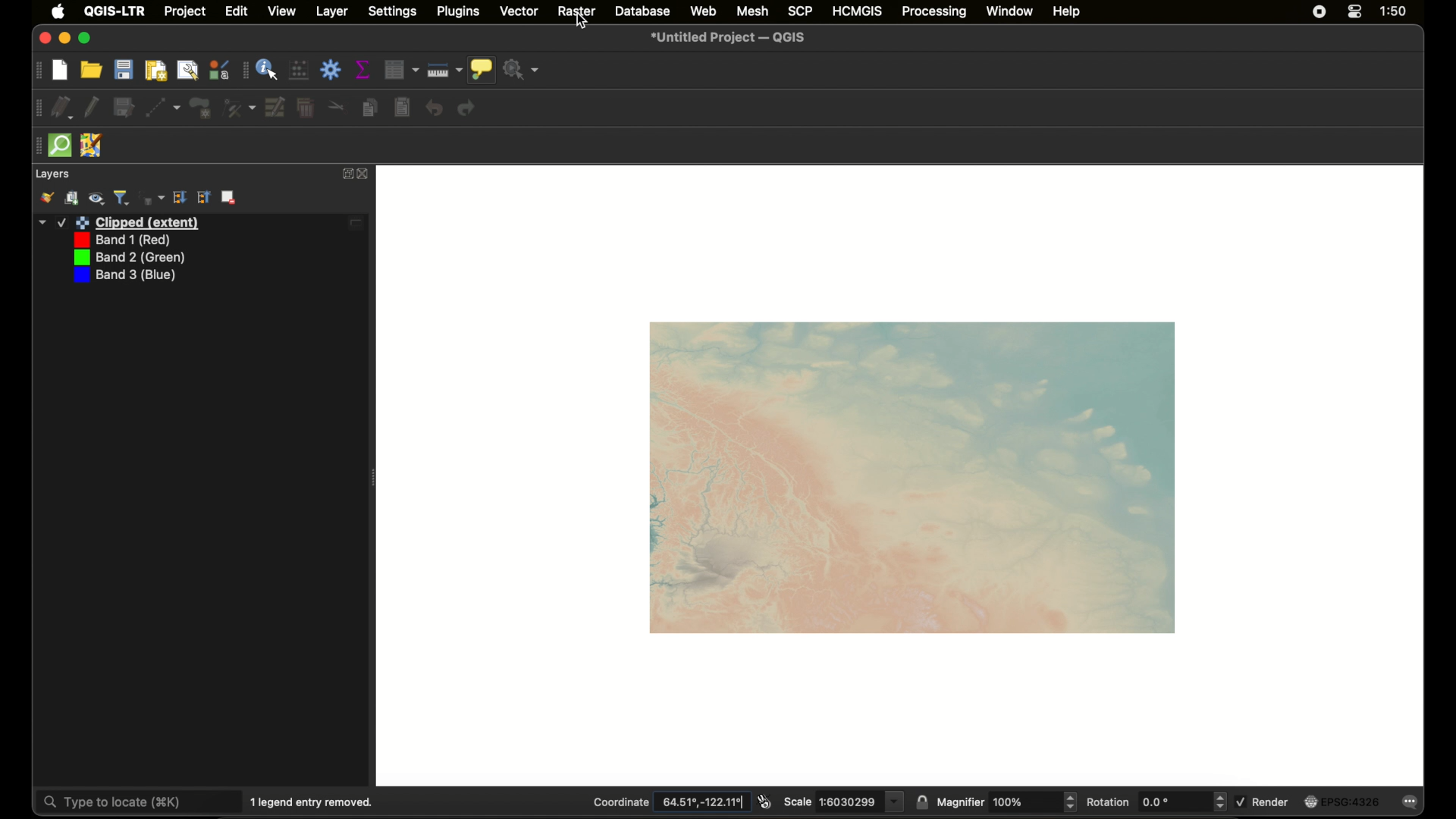  Describe the element at coordinates (268, 69) in the screenshot. I see `identify feature` at that location.